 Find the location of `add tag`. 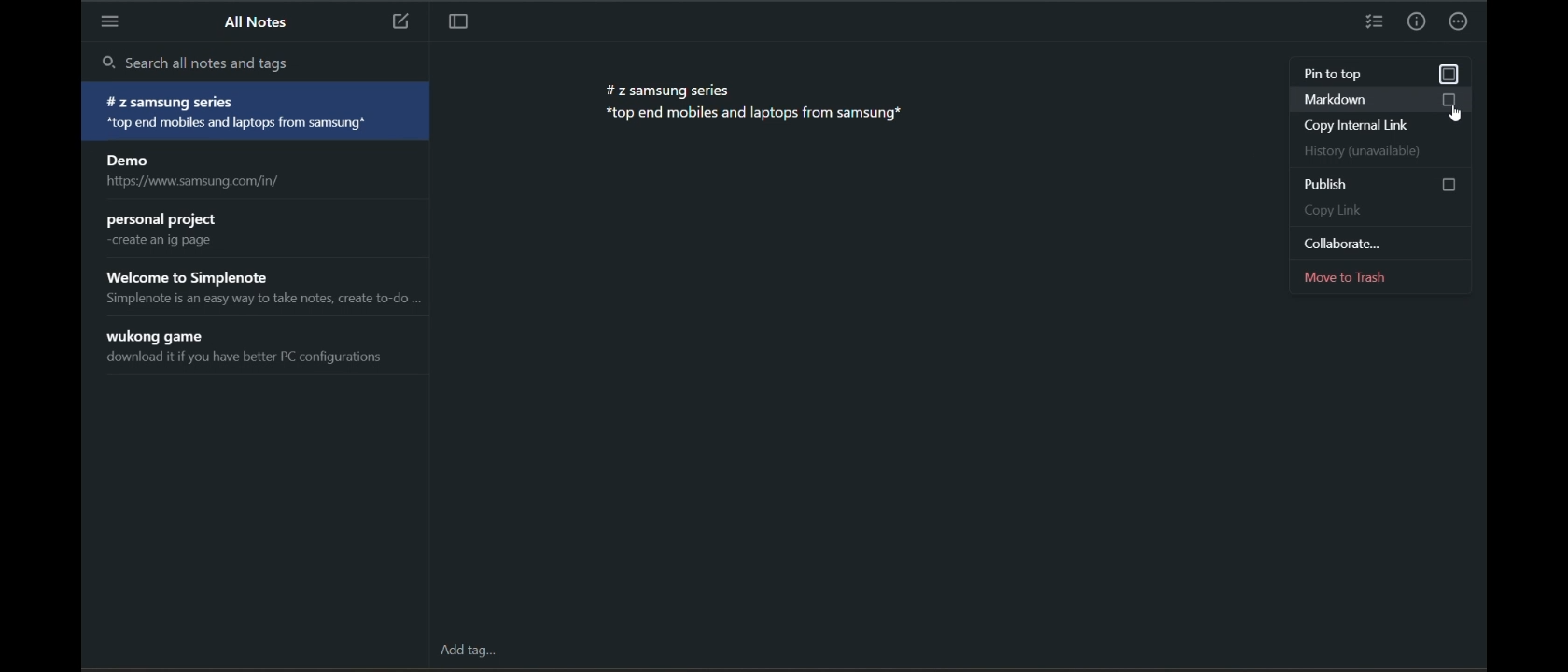

add tag is located at coordinates (475, 650).